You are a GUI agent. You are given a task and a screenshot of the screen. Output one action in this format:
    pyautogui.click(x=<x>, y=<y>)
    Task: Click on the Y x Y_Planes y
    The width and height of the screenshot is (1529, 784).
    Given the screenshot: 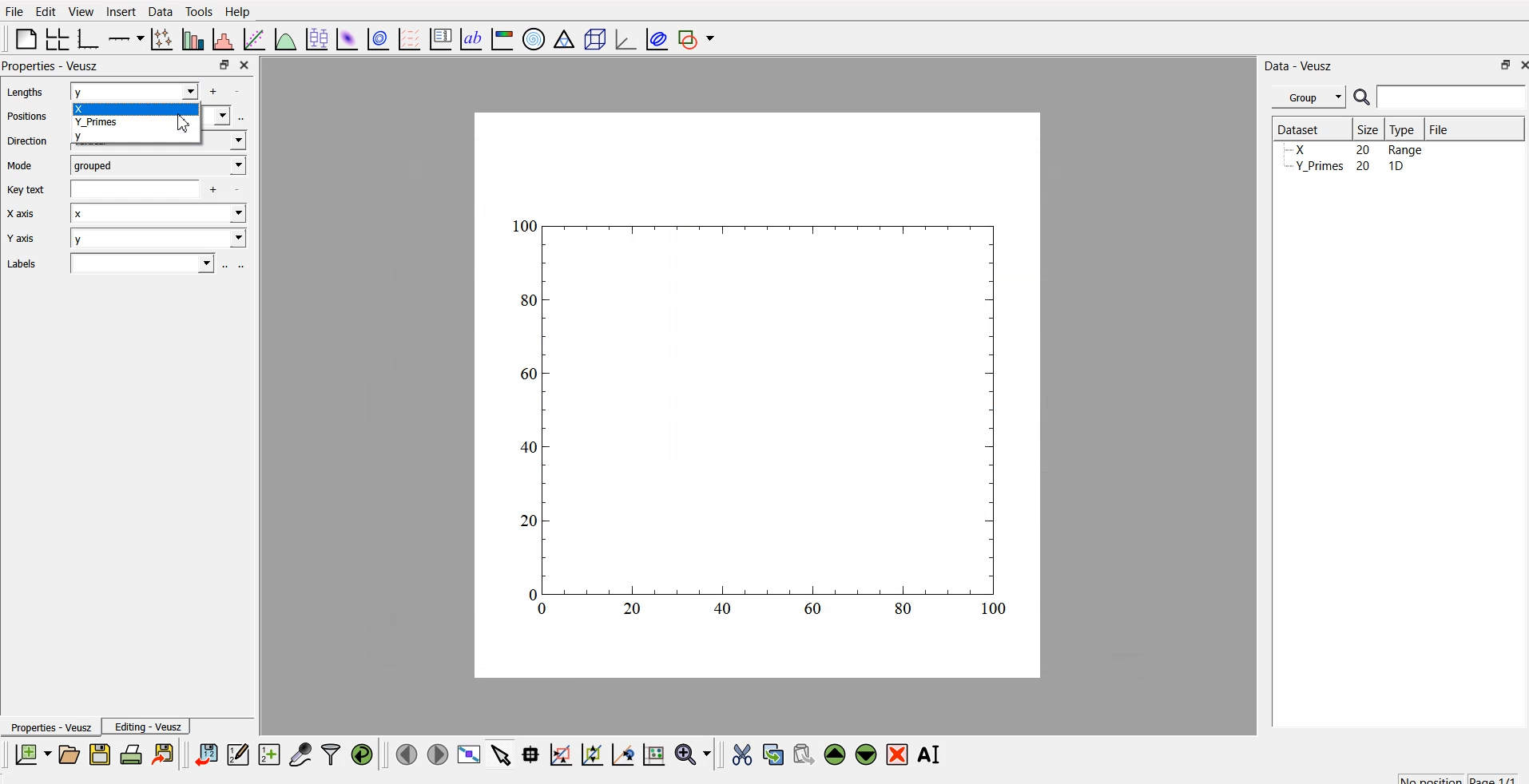 What is the action you would take?
    pyautogui.click(x=151, y=115)
    